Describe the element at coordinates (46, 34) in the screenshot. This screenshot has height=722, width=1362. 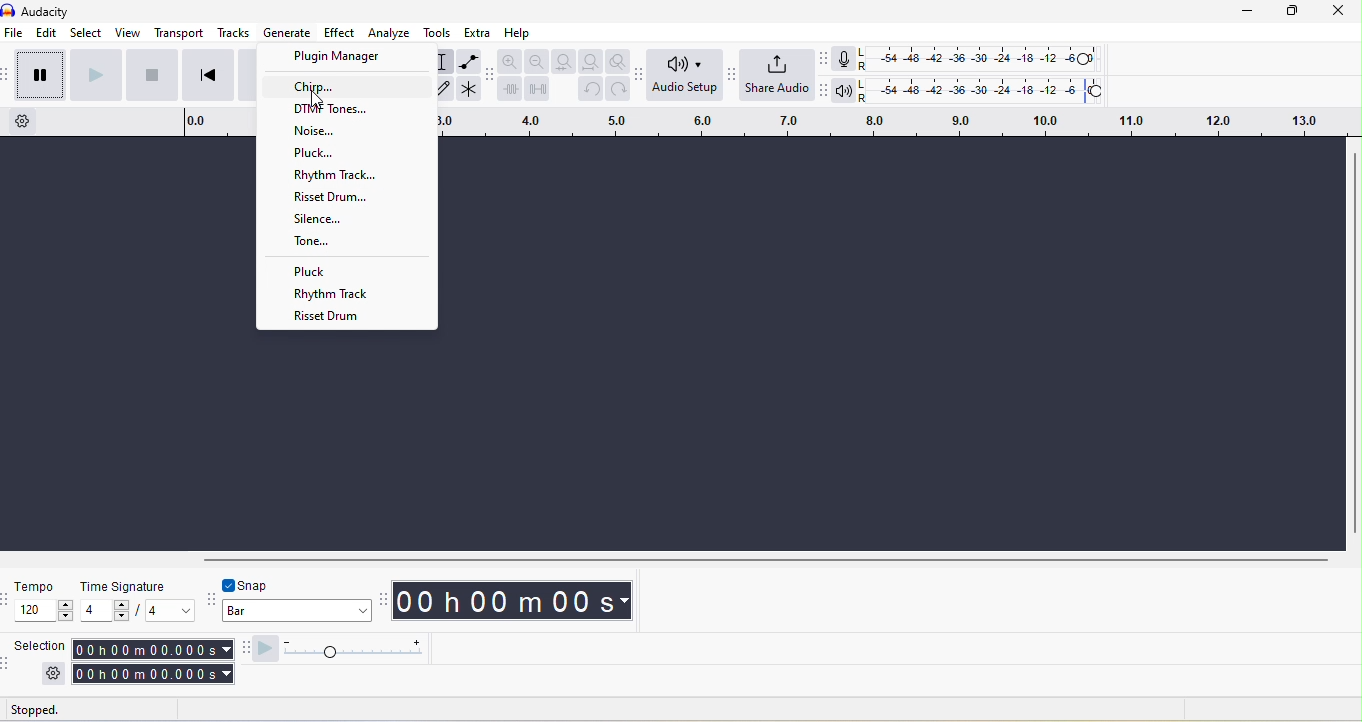
I see `edit` at that location.